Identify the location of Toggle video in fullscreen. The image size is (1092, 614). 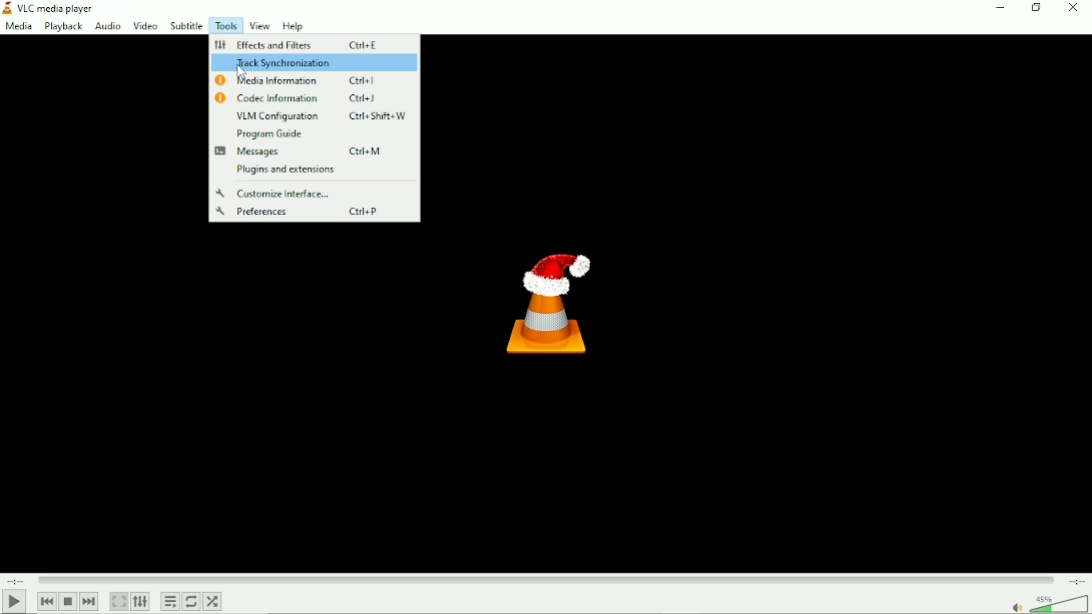
(119, 601).